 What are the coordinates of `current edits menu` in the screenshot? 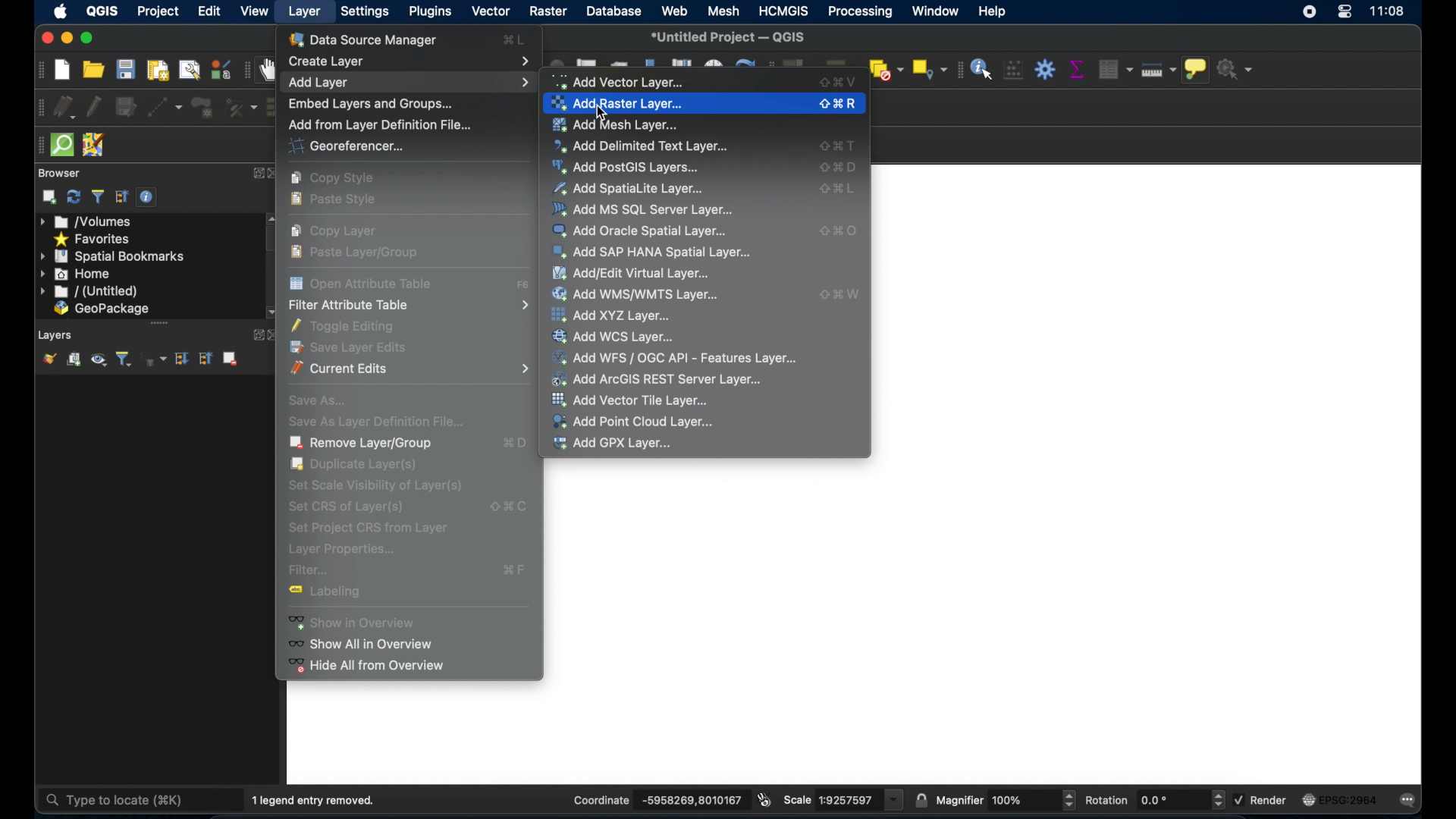 It's located at (412, 369).